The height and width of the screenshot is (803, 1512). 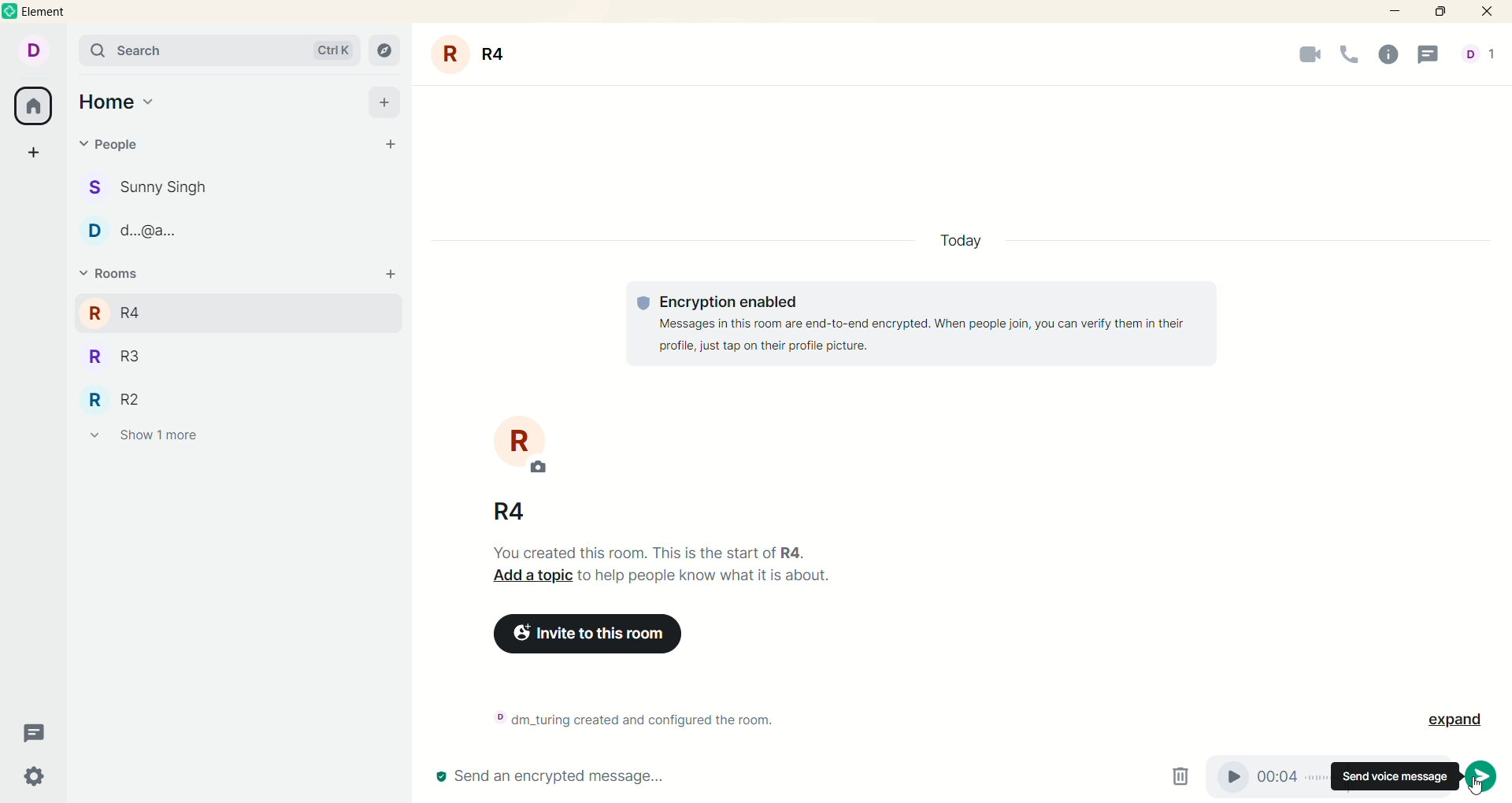 I want to click on people, so click(x=163, y=188).